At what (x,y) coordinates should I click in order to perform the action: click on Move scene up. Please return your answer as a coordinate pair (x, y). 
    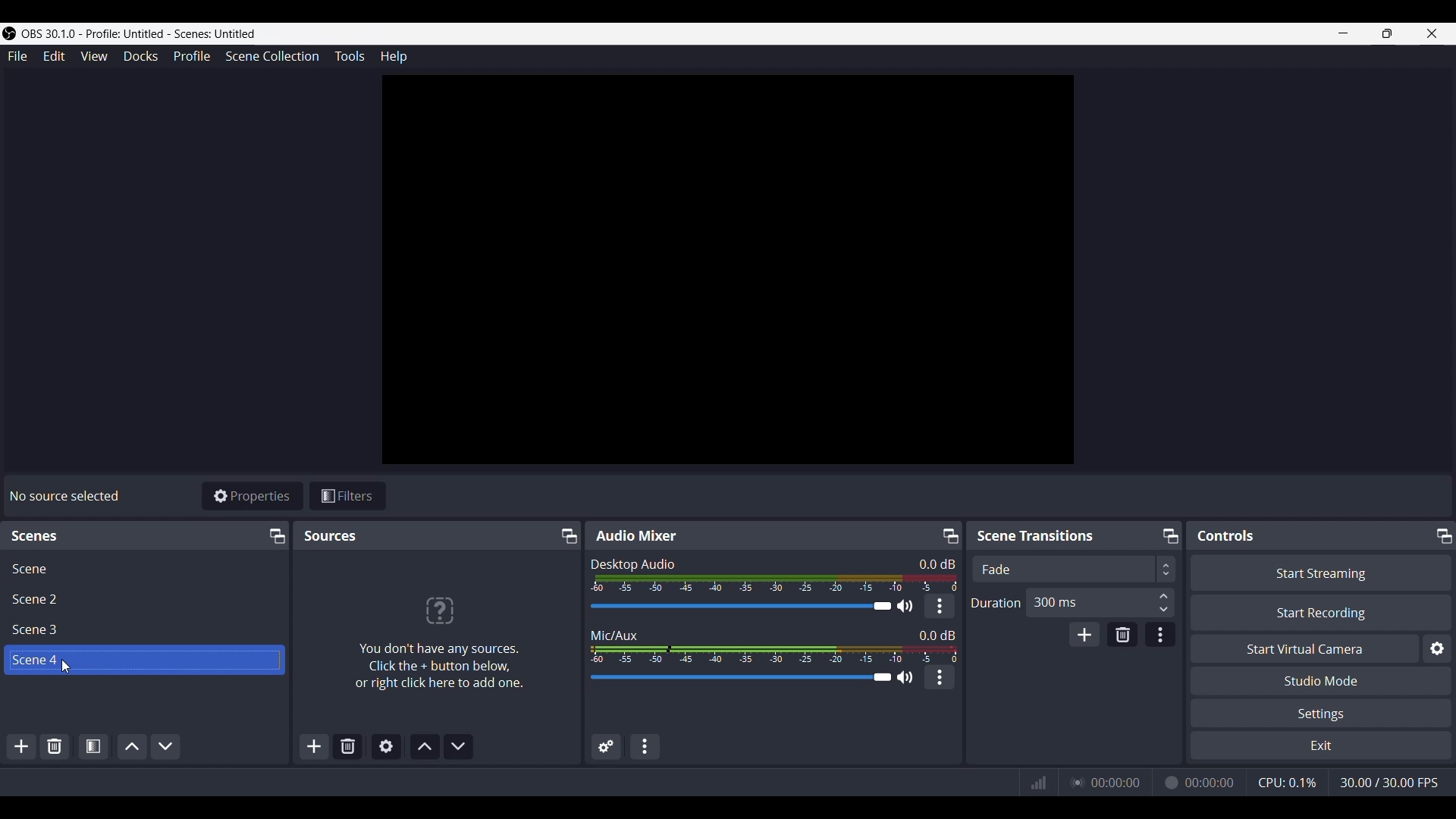
    Looking at the image, I should click on (132, 745).